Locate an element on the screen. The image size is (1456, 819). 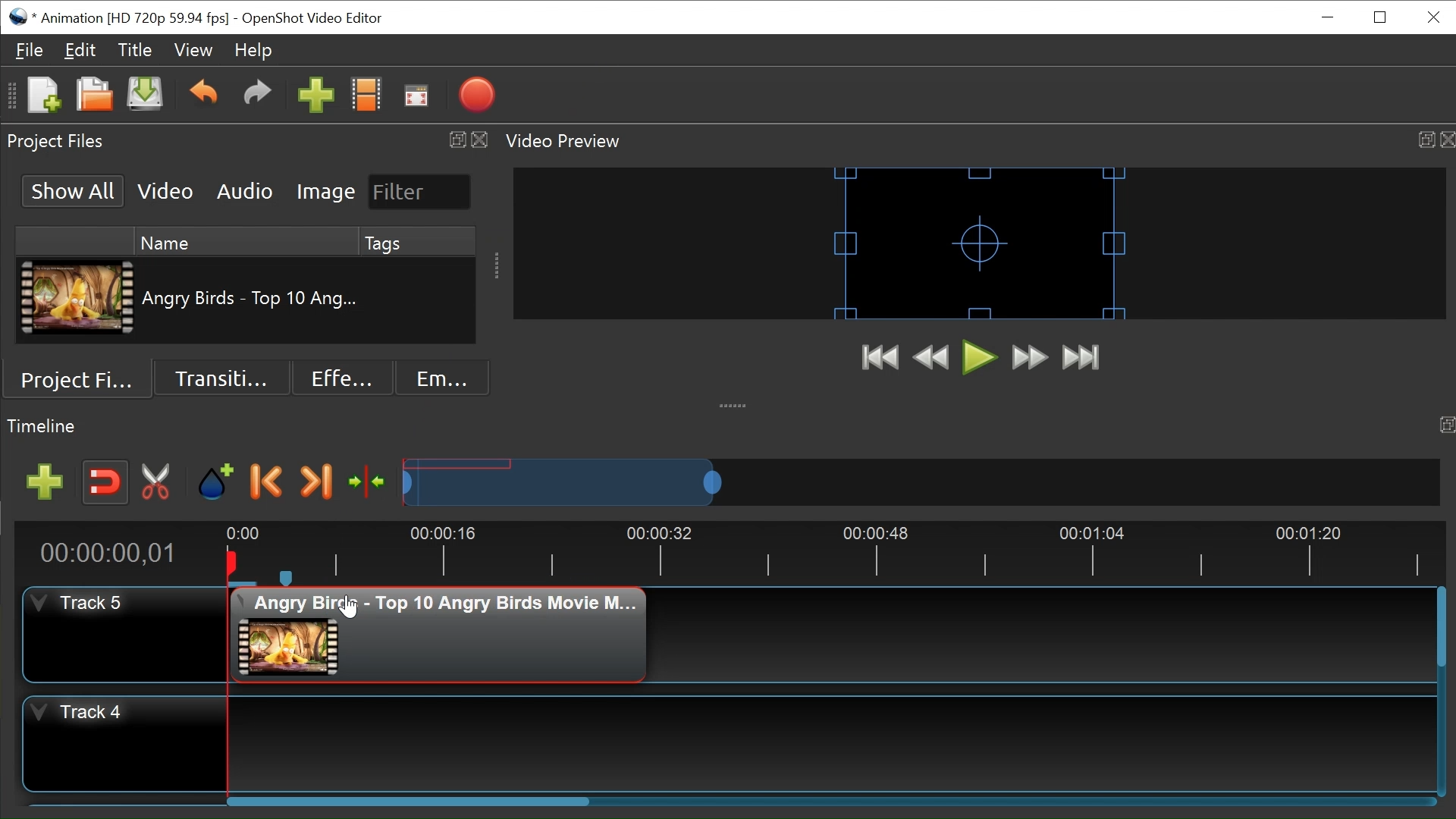
Zoom Slider is located at coordinates (920, 482).